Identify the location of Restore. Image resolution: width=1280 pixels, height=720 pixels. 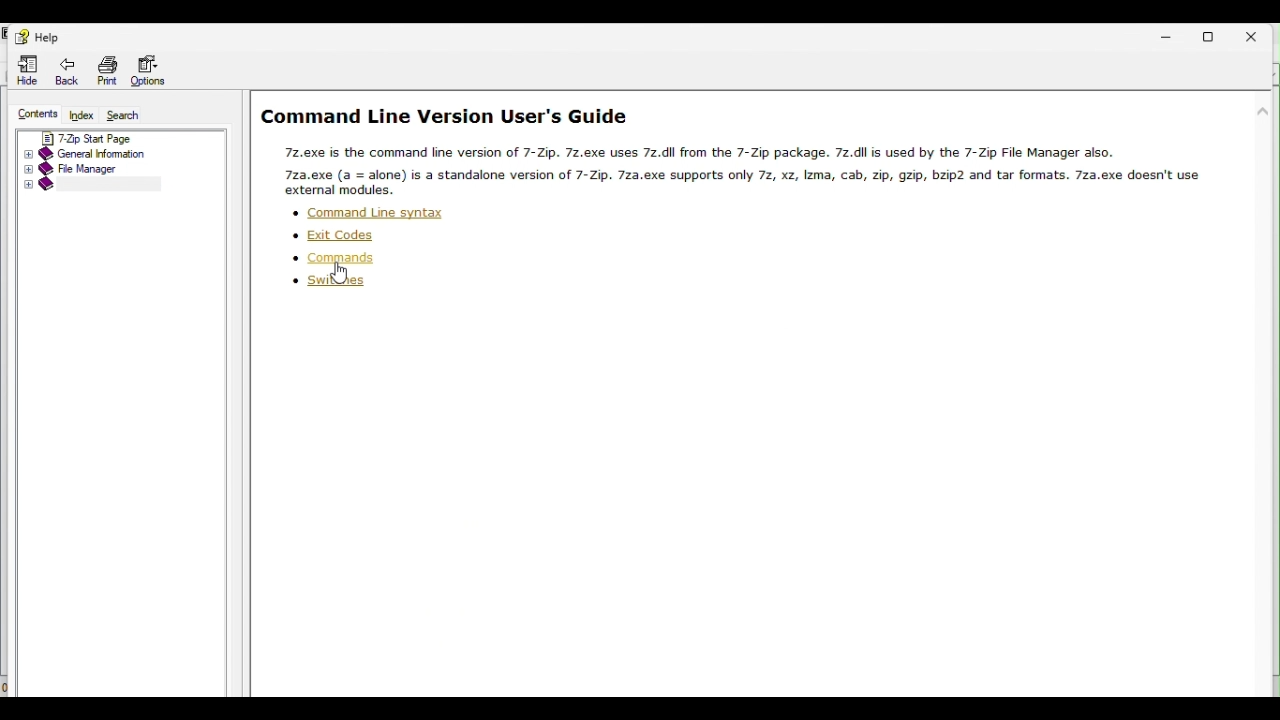
(1217, 34).